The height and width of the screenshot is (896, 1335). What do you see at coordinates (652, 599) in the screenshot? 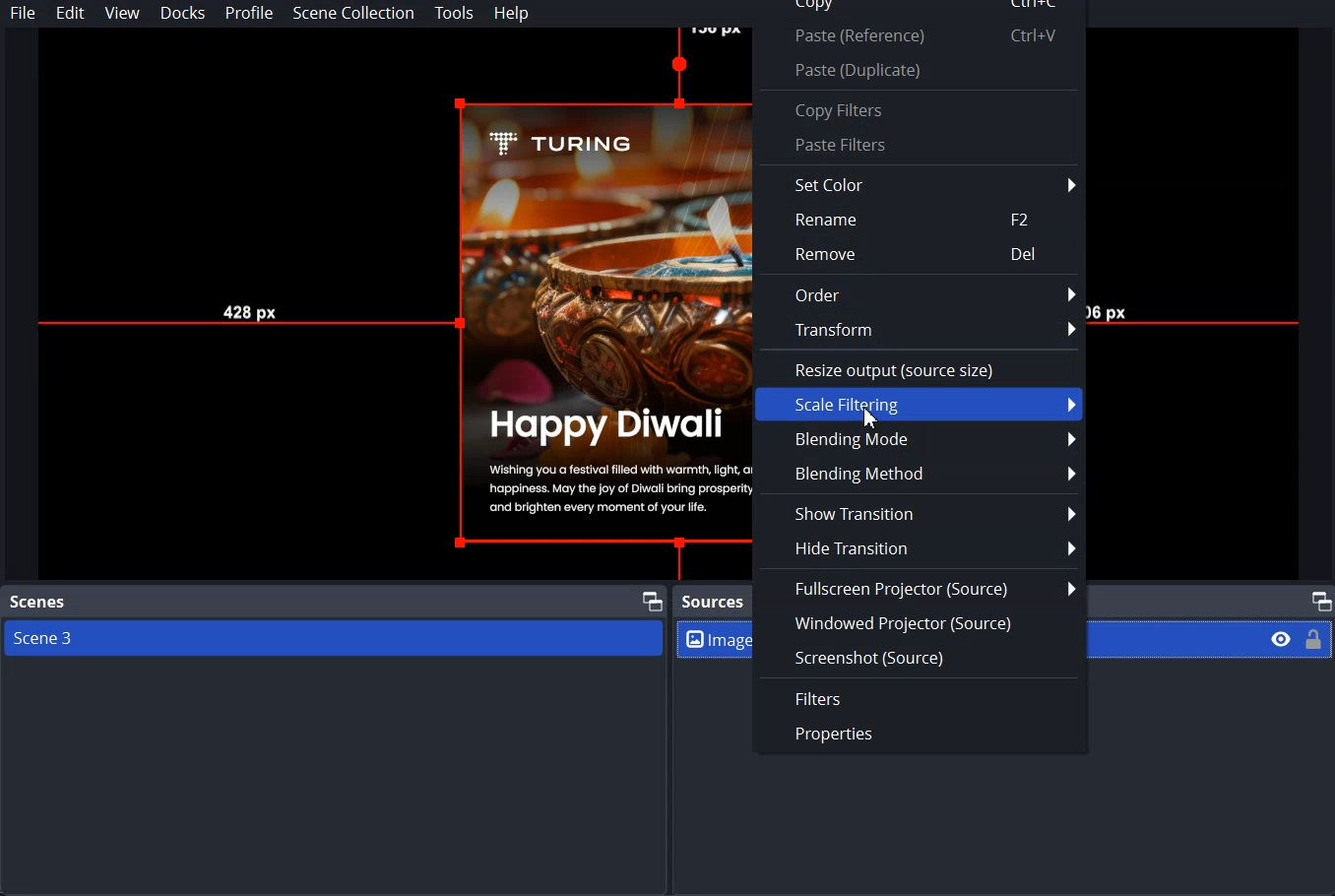
I see `Maximize` at bounding box center [652, 599].